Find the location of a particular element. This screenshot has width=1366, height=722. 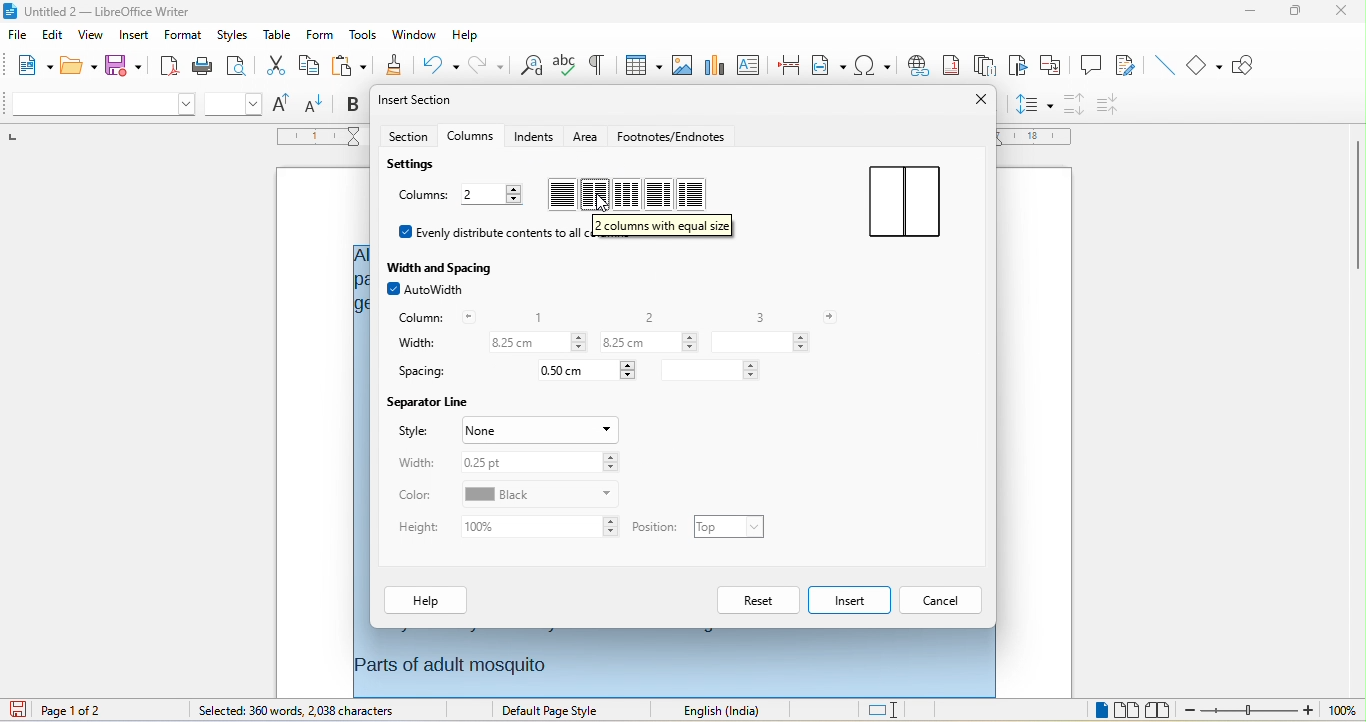

font name is located at coordinates (99, 105).